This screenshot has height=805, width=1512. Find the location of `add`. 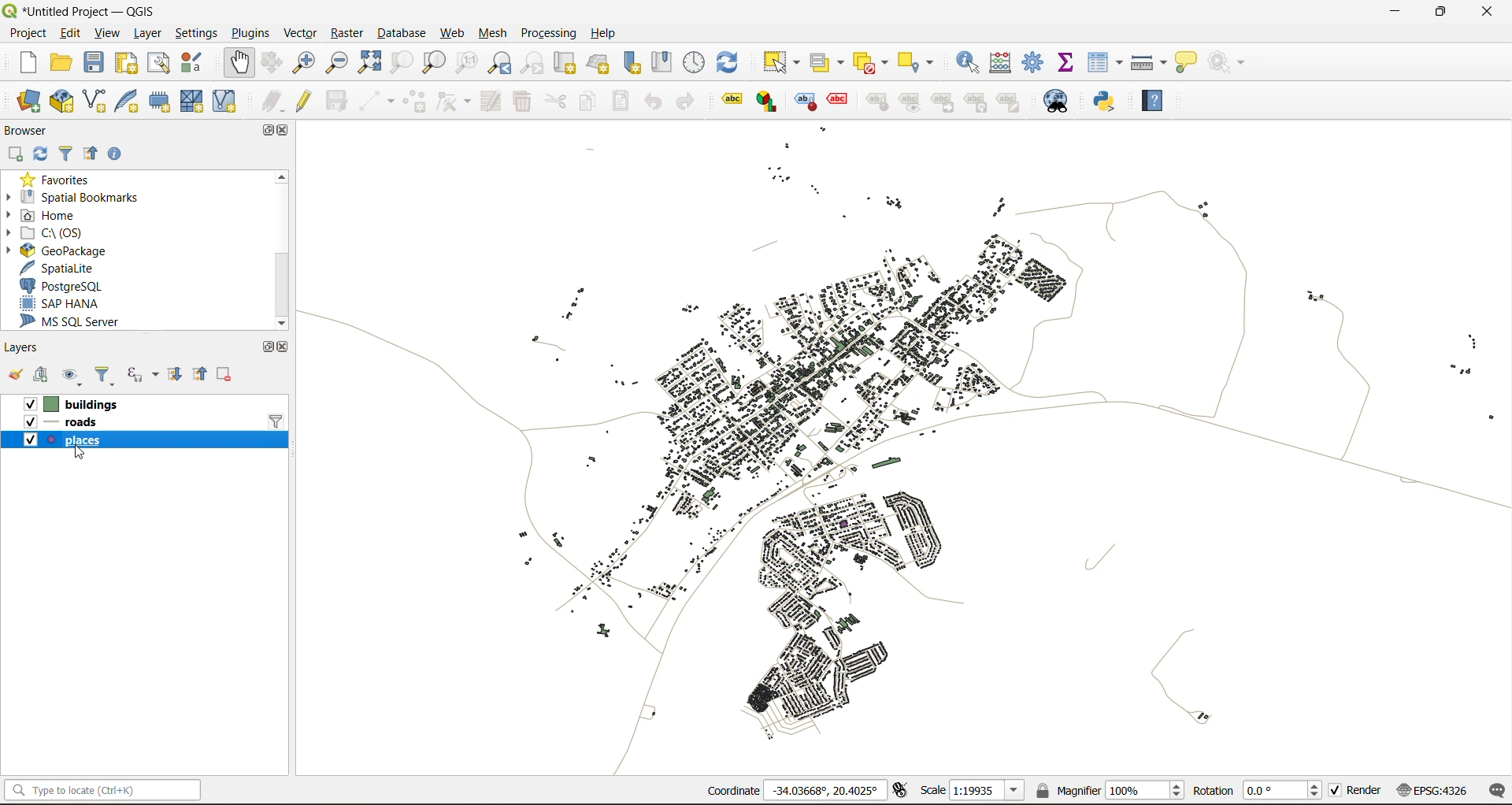

add is located at coordinates (46, 377).